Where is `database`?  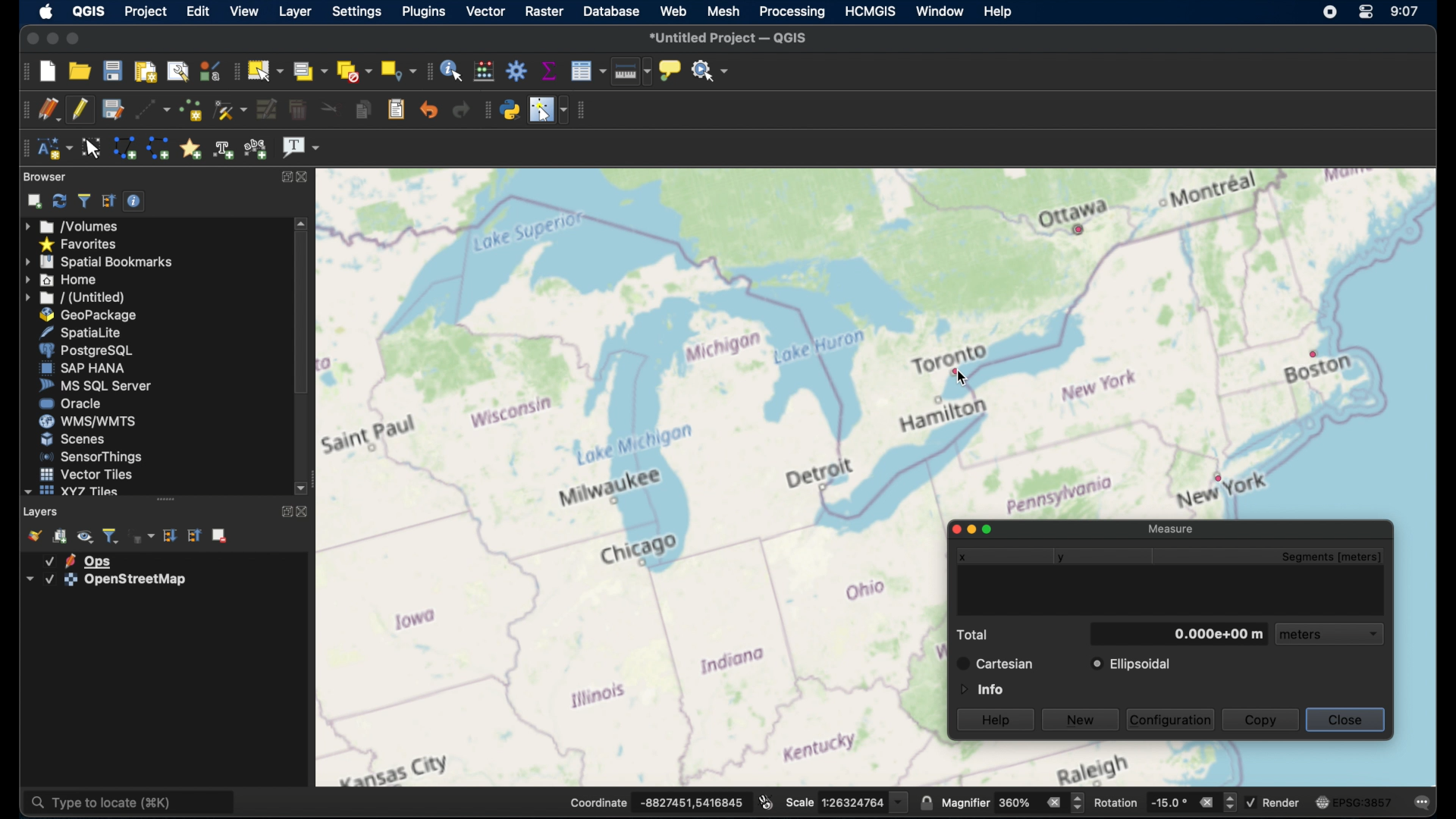 database is located at coordinates (613, 12).